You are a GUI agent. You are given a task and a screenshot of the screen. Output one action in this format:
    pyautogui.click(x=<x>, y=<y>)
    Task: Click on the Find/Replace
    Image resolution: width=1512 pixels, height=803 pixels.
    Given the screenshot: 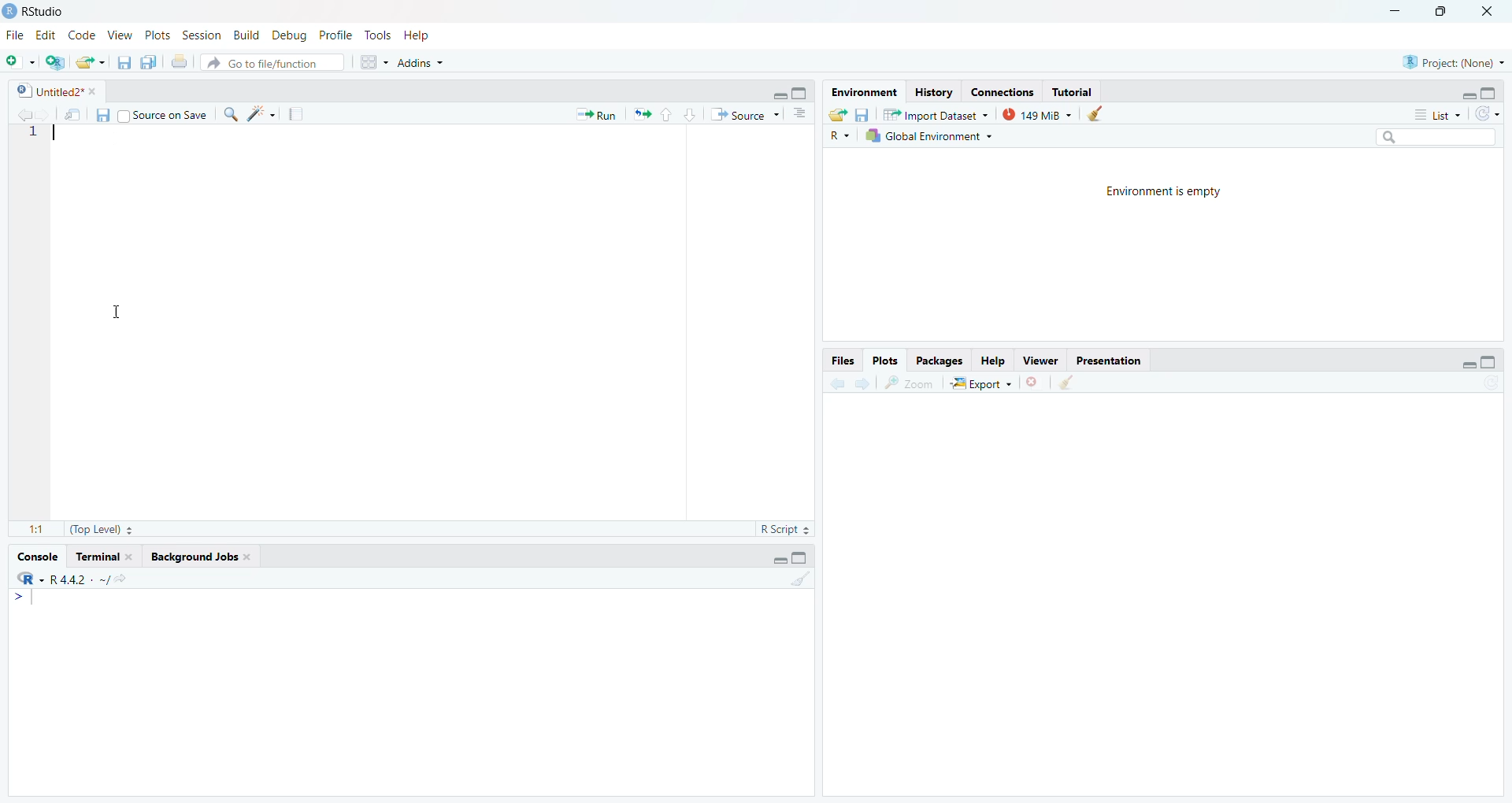 What is the action you would take?
    pyautogui.click(x=231, y=113)
    